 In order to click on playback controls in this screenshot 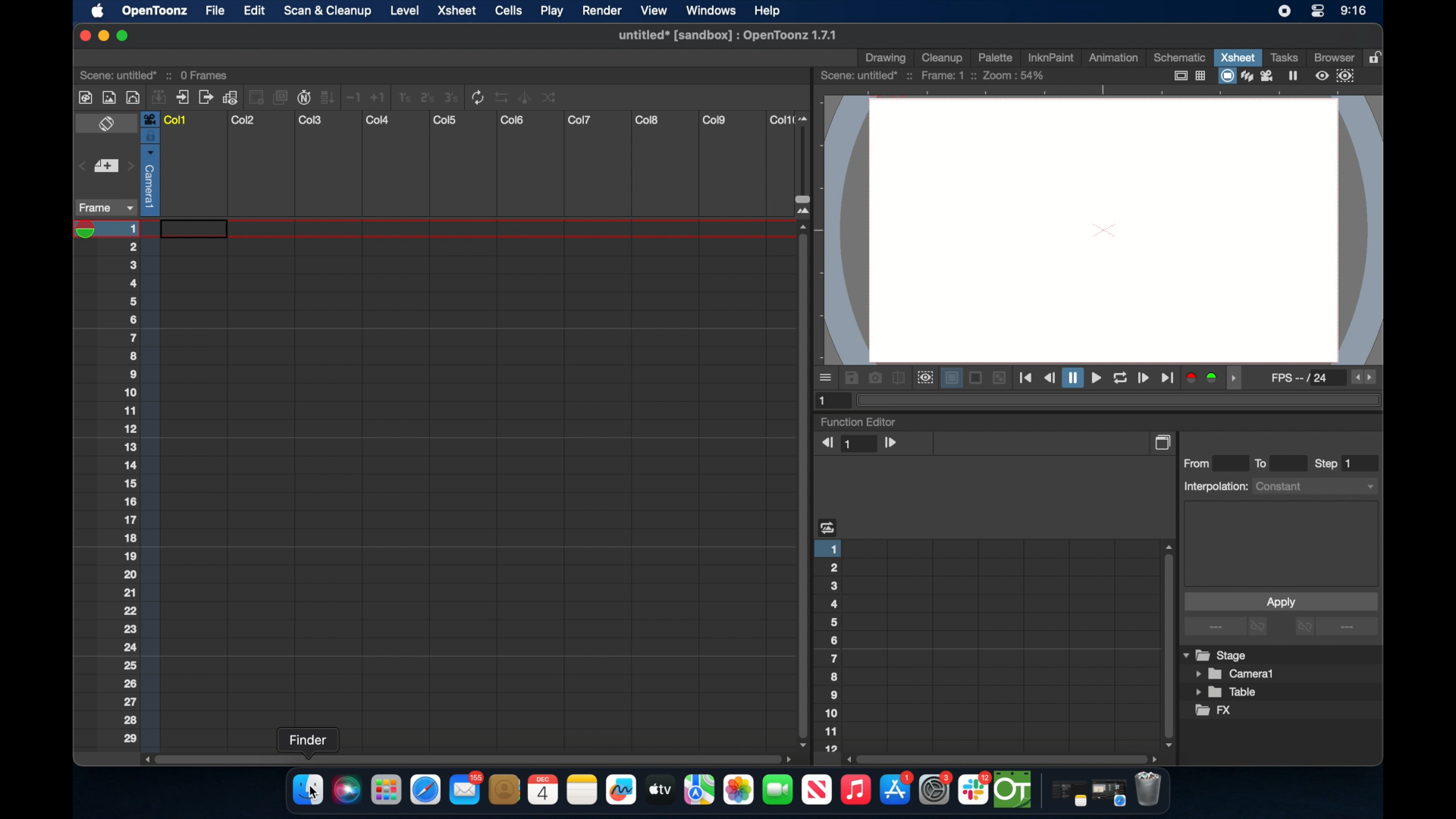, I will do `click(1097, 378)`.